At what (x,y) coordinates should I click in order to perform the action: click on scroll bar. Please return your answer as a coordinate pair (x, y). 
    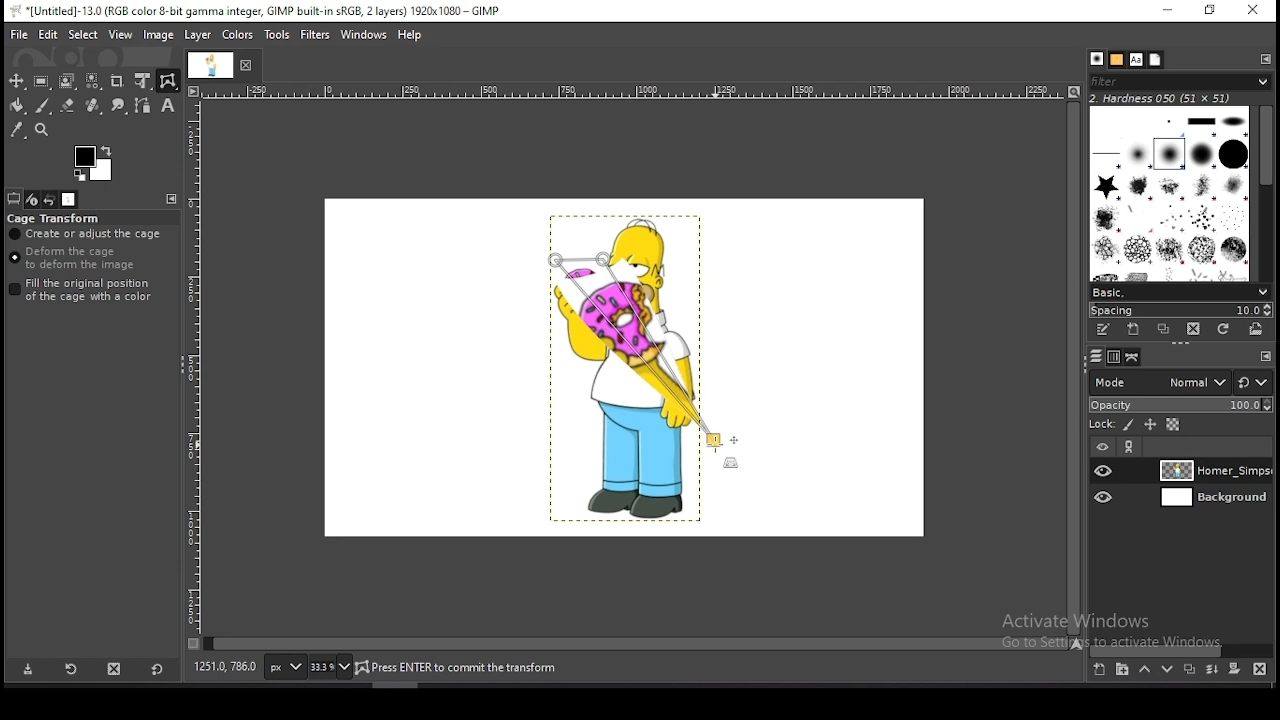
    Looking at the image, I should click on (1264, 190).